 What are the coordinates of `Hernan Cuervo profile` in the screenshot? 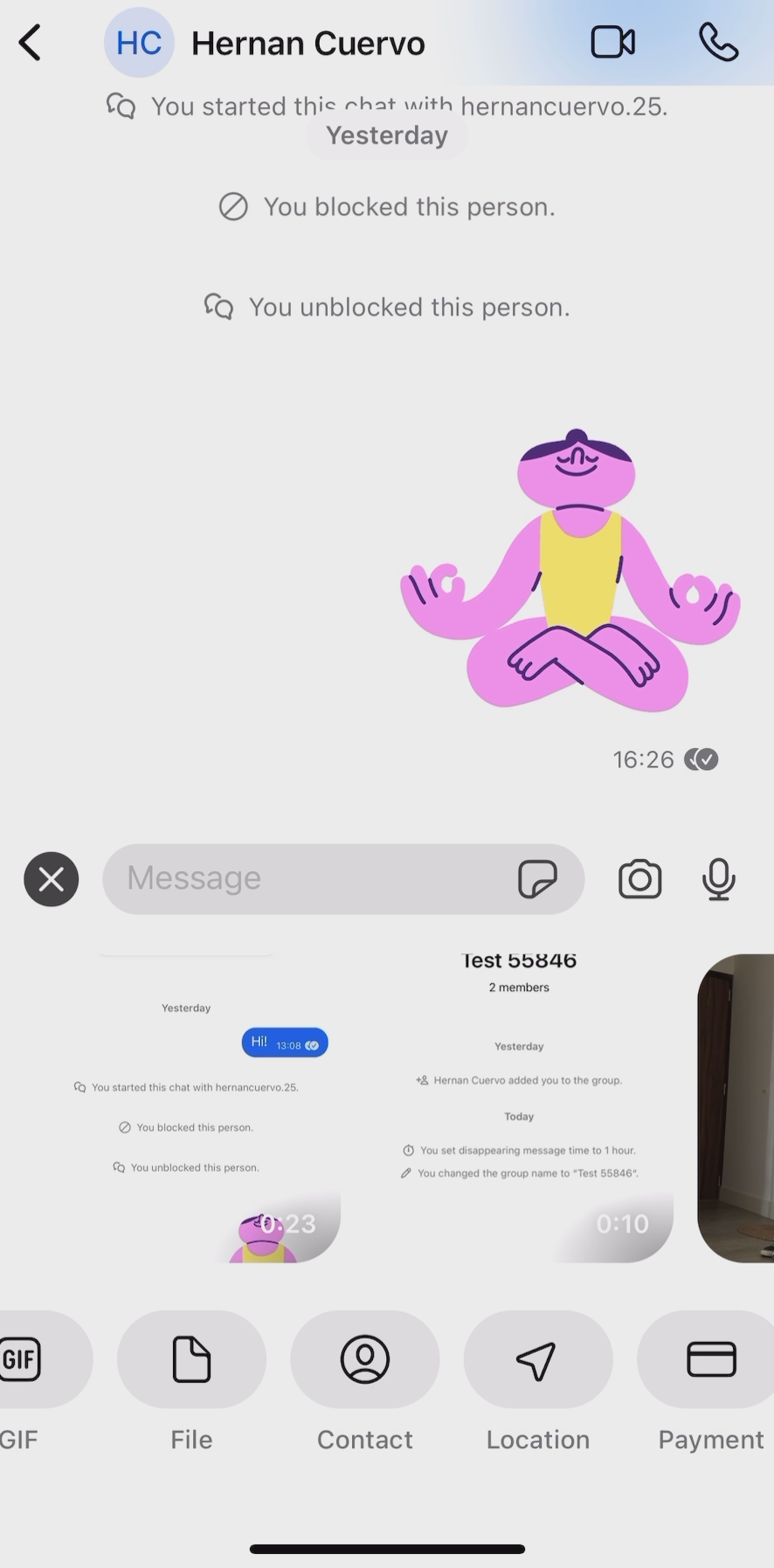 It's located at (264, 40).